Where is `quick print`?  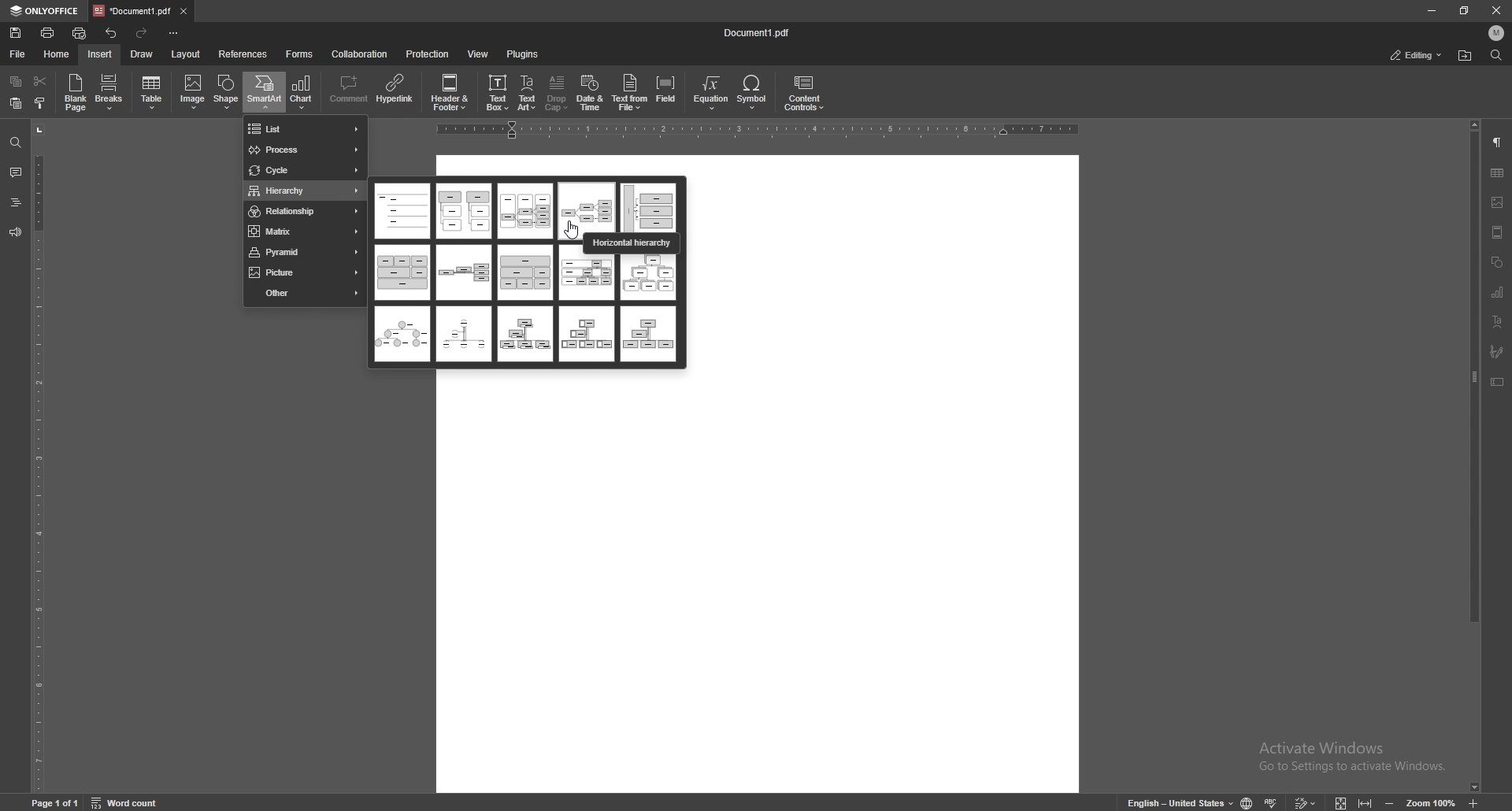
quick print is located at coordinates (80, 33).